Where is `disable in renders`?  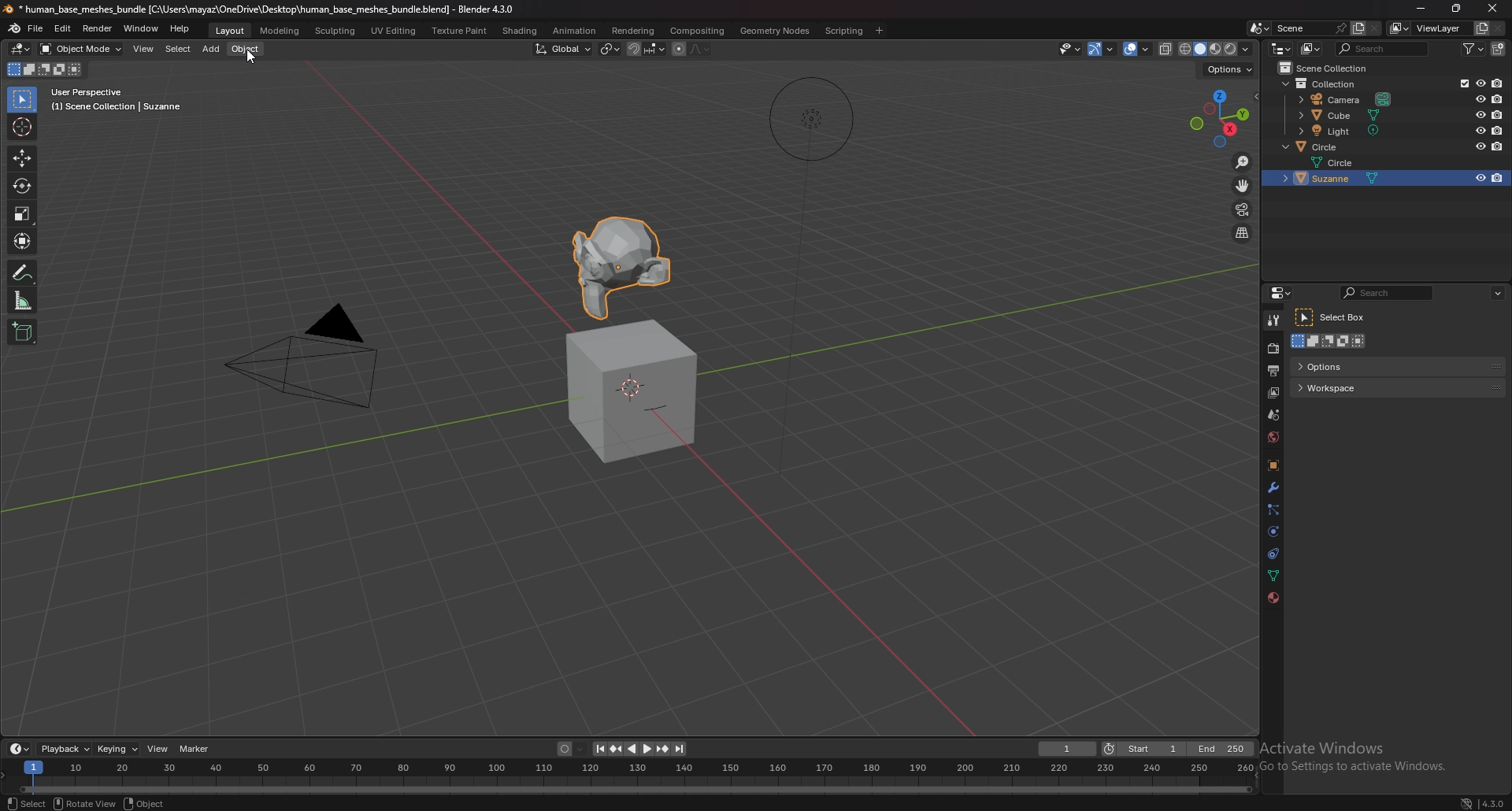 disable in renders is located at coordinates (1496, 146).